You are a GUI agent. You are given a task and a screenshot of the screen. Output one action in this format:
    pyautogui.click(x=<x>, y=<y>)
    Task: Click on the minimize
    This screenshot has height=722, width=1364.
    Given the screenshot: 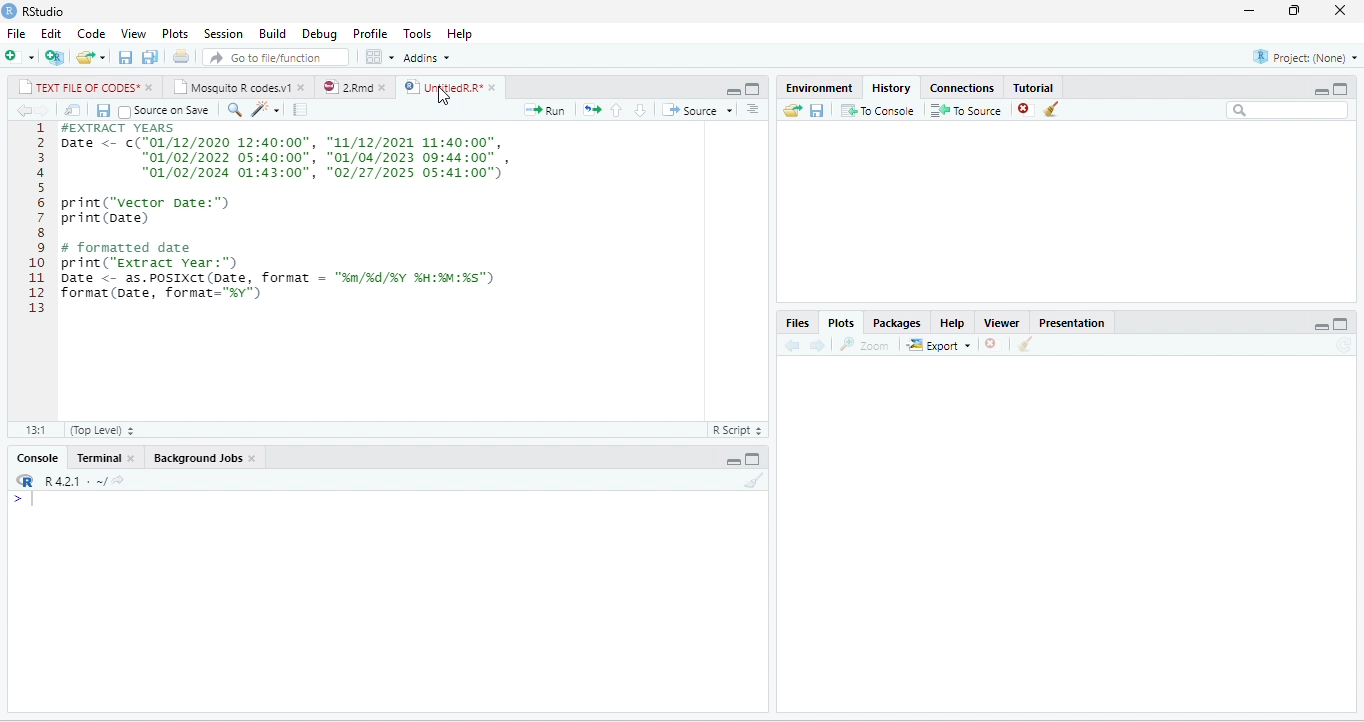 What is the action you would take?
    pyautogui.click(x=1321, y=326)
    